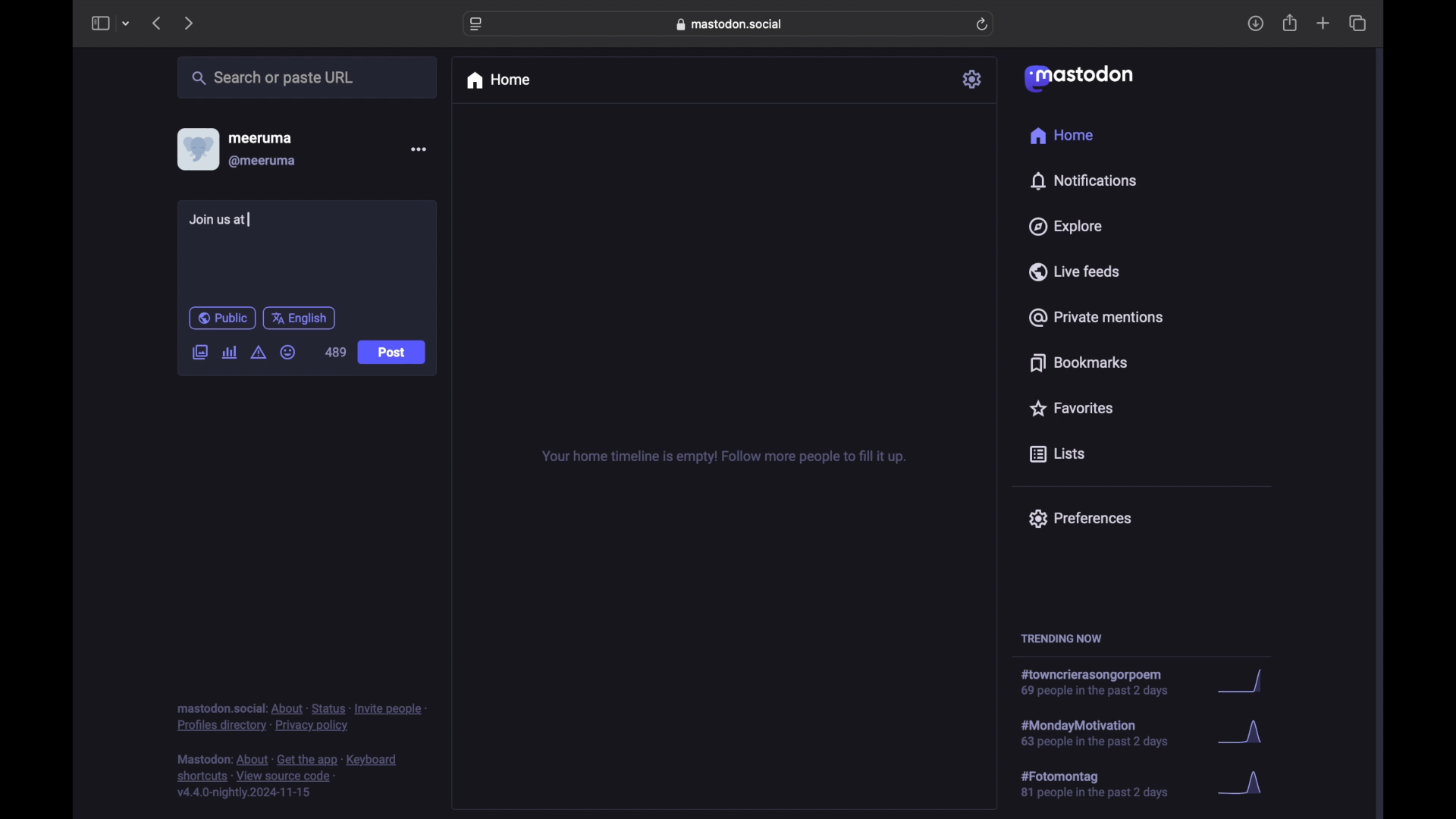 This screenshot has height=819, width=1456. I want to click on footnote, so click(302, 717).